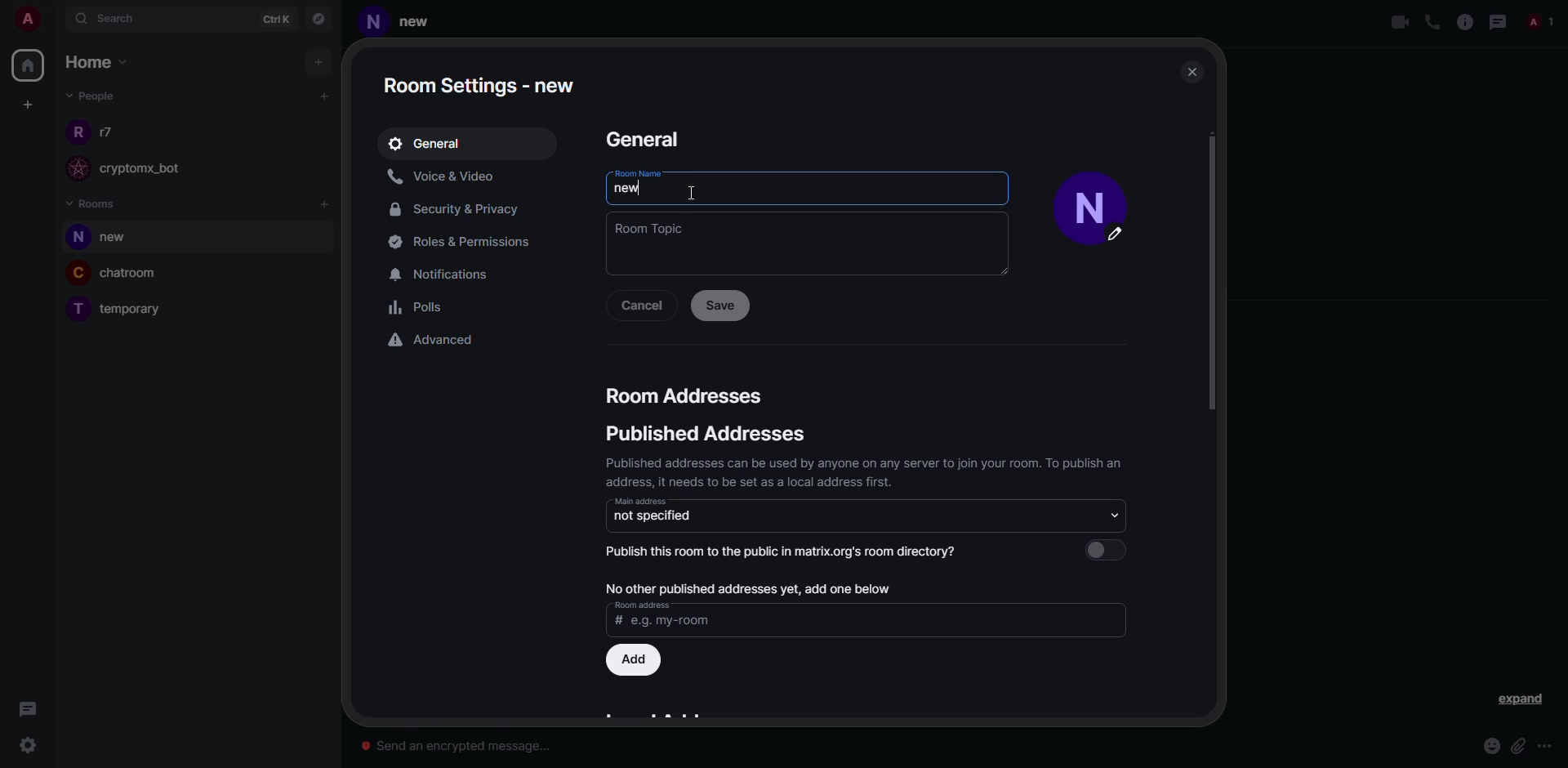  What do you see at coordinates (641, 138) in the screenshot?
I see `general` at bounding box center [641, 138].